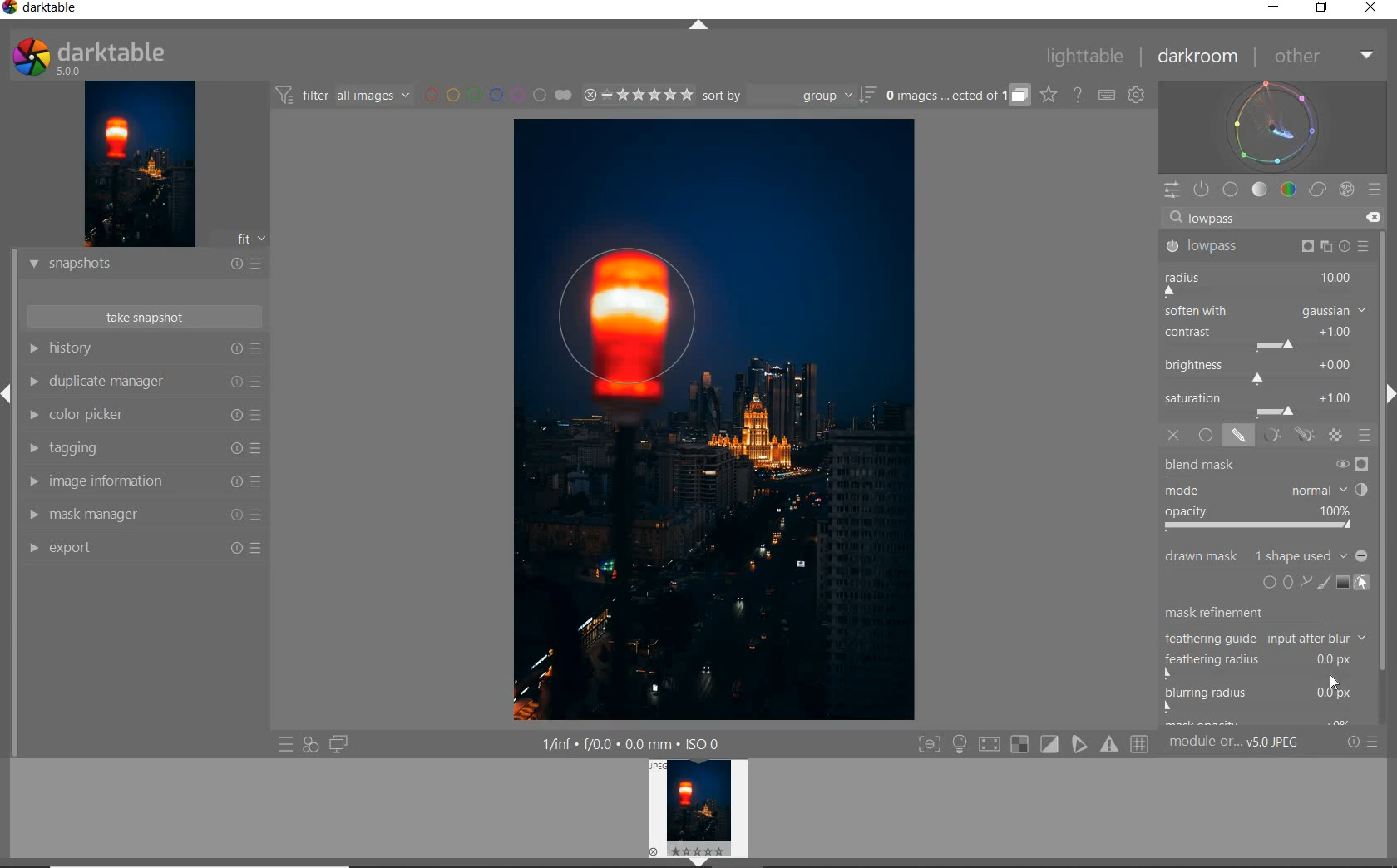 Image resolution: width=1397 pixels, height=868 pixels. What do you see at coordinates (1048, 96) in the screenshot?
I see `CLICK TO CHANGE THE OVERLAYS SHOWN ON THUMBNAILS` at bounding box center [1048, 96].